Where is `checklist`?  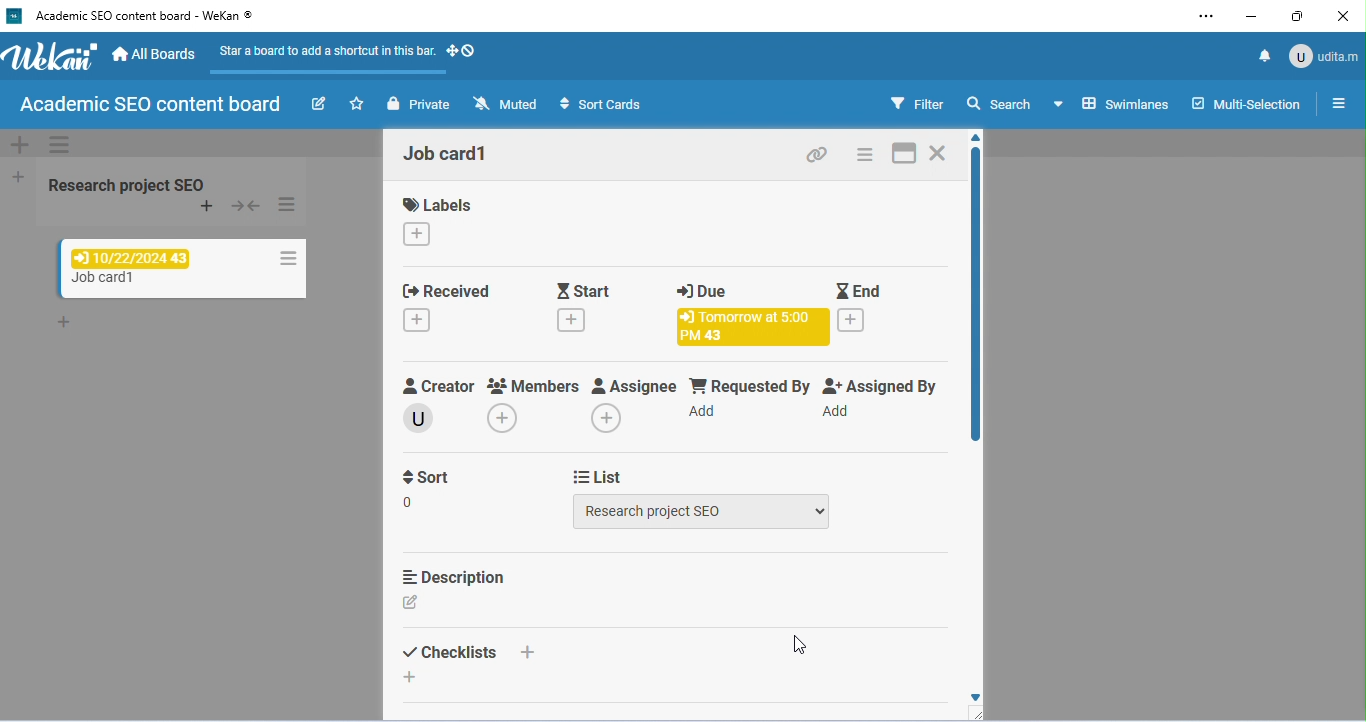
checklist is located at coordinates (447, 651).